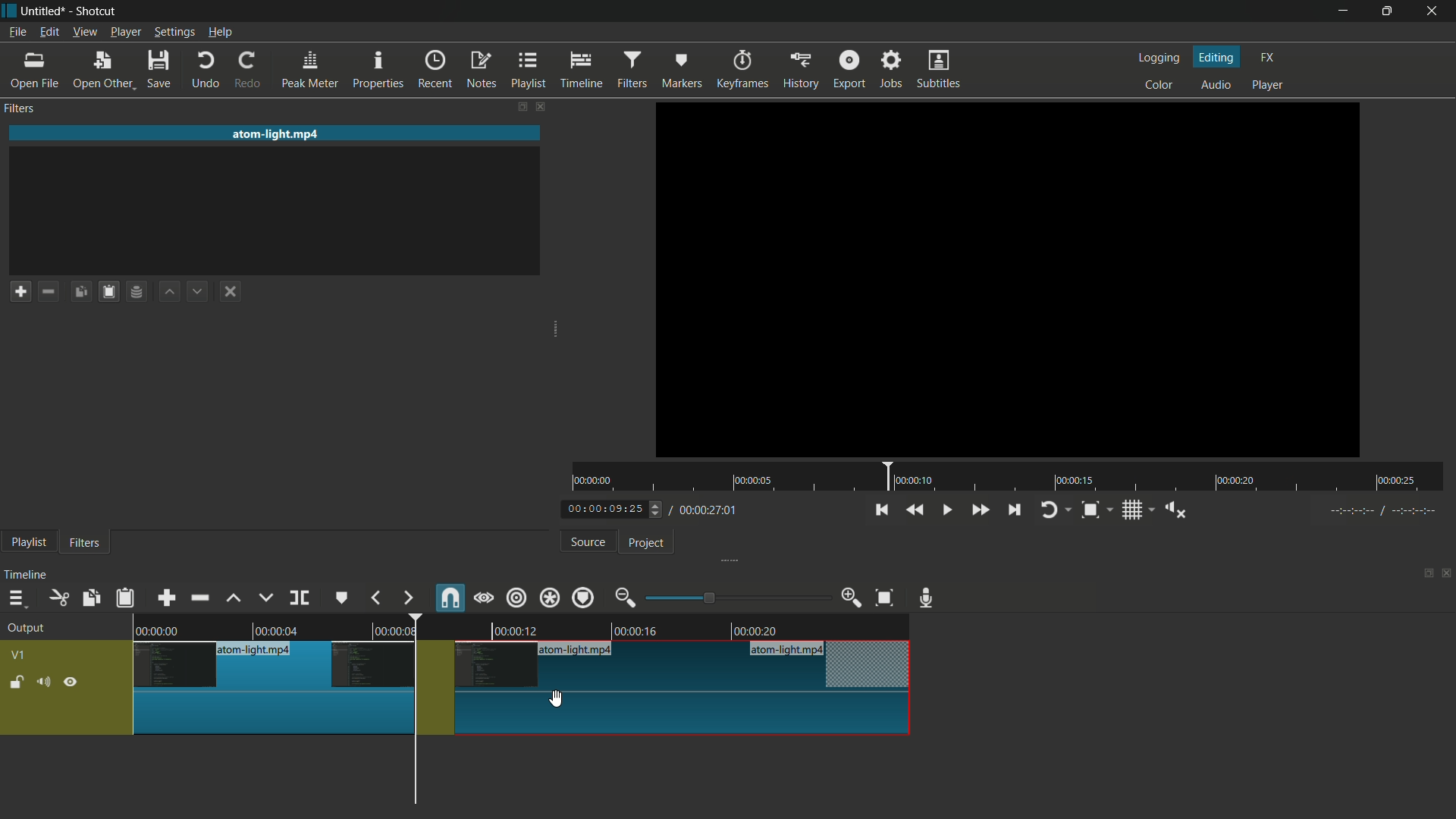 The image size is (1456, 819). I want to click on zoom timeline to fit, so click(885, 599).